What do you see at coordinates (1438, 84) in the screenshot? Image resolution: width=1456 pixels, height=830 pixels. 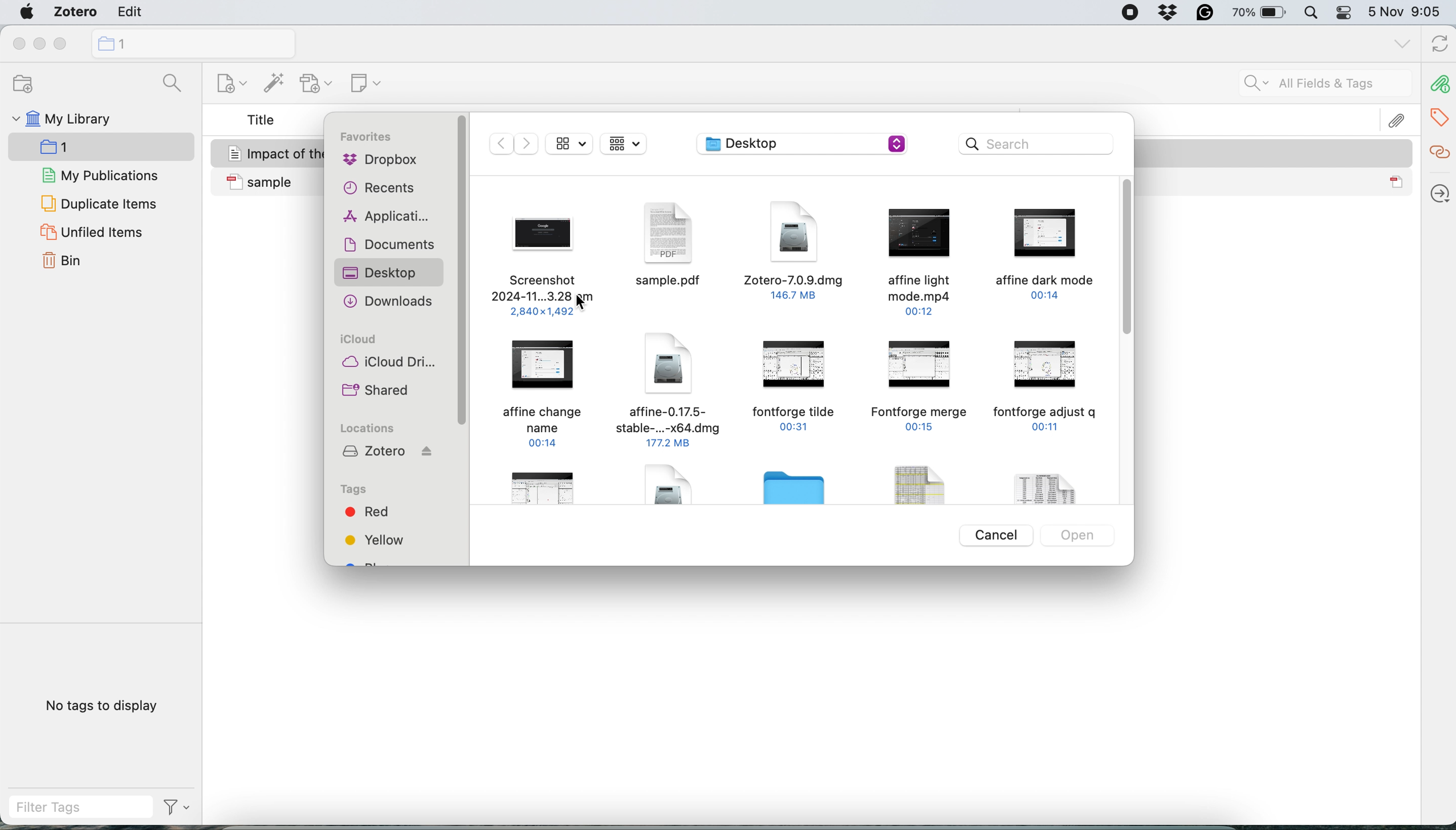 I see `attachements` at bounding box center [1438, 84].